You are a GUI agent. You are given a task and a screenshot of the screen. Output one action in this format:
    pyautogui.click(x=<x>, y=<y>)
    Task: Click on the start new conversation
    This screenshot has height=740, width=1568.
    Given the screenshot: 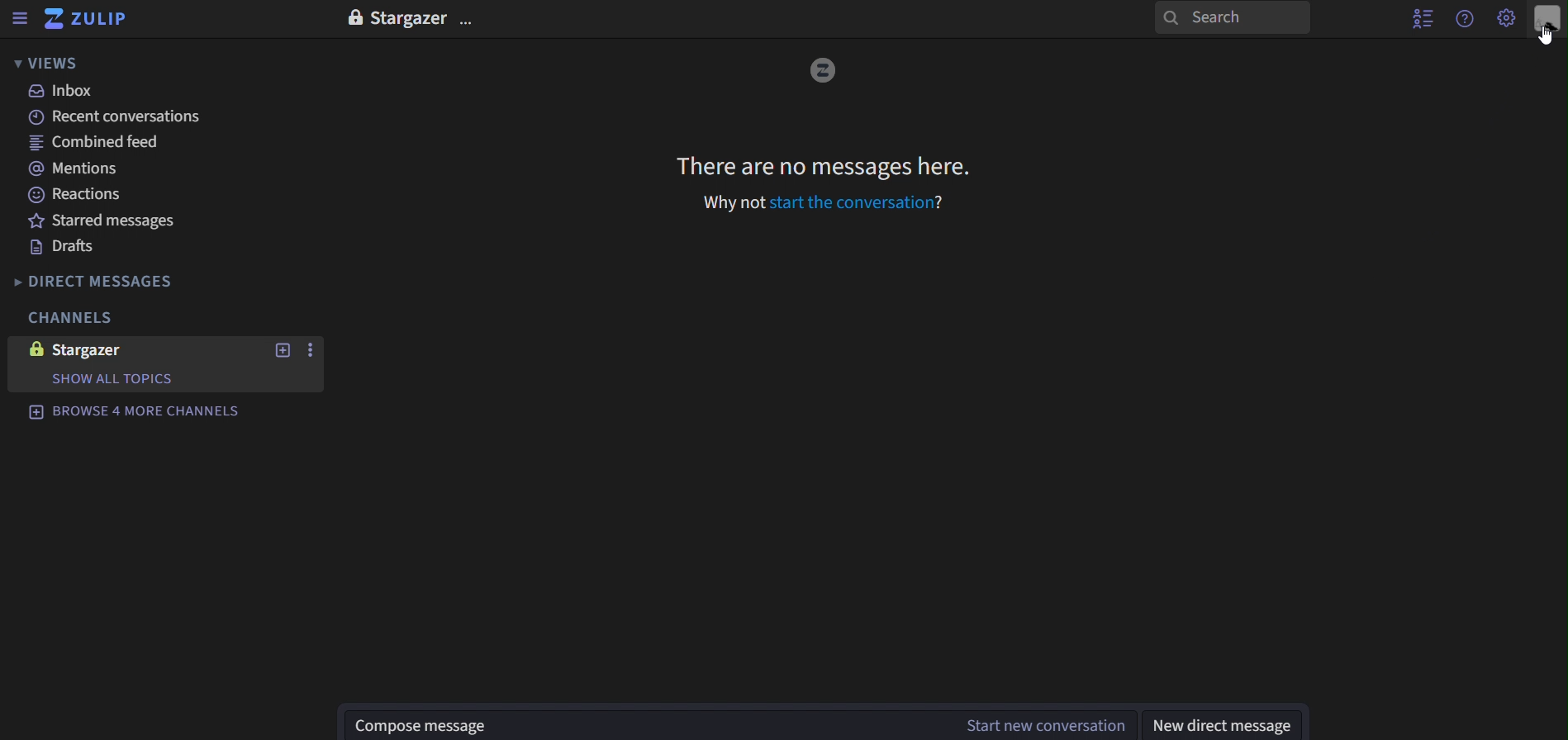 What is the action you would take?
    pyautogui.click(x=311, y=349)
    